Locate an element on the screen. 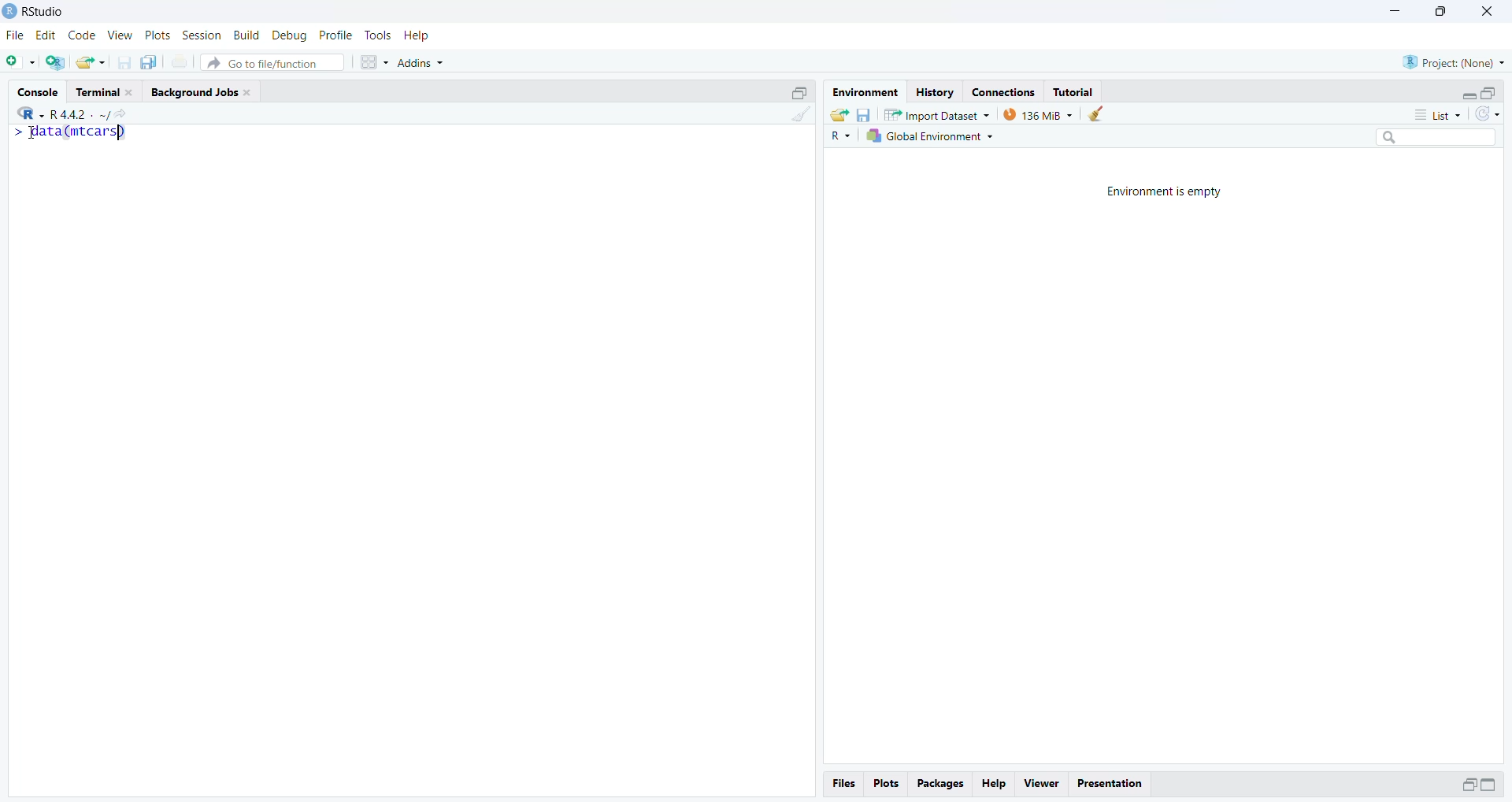 This screenshot has width=1512, height=802. Minimize is located at coordinates (1466, 785).